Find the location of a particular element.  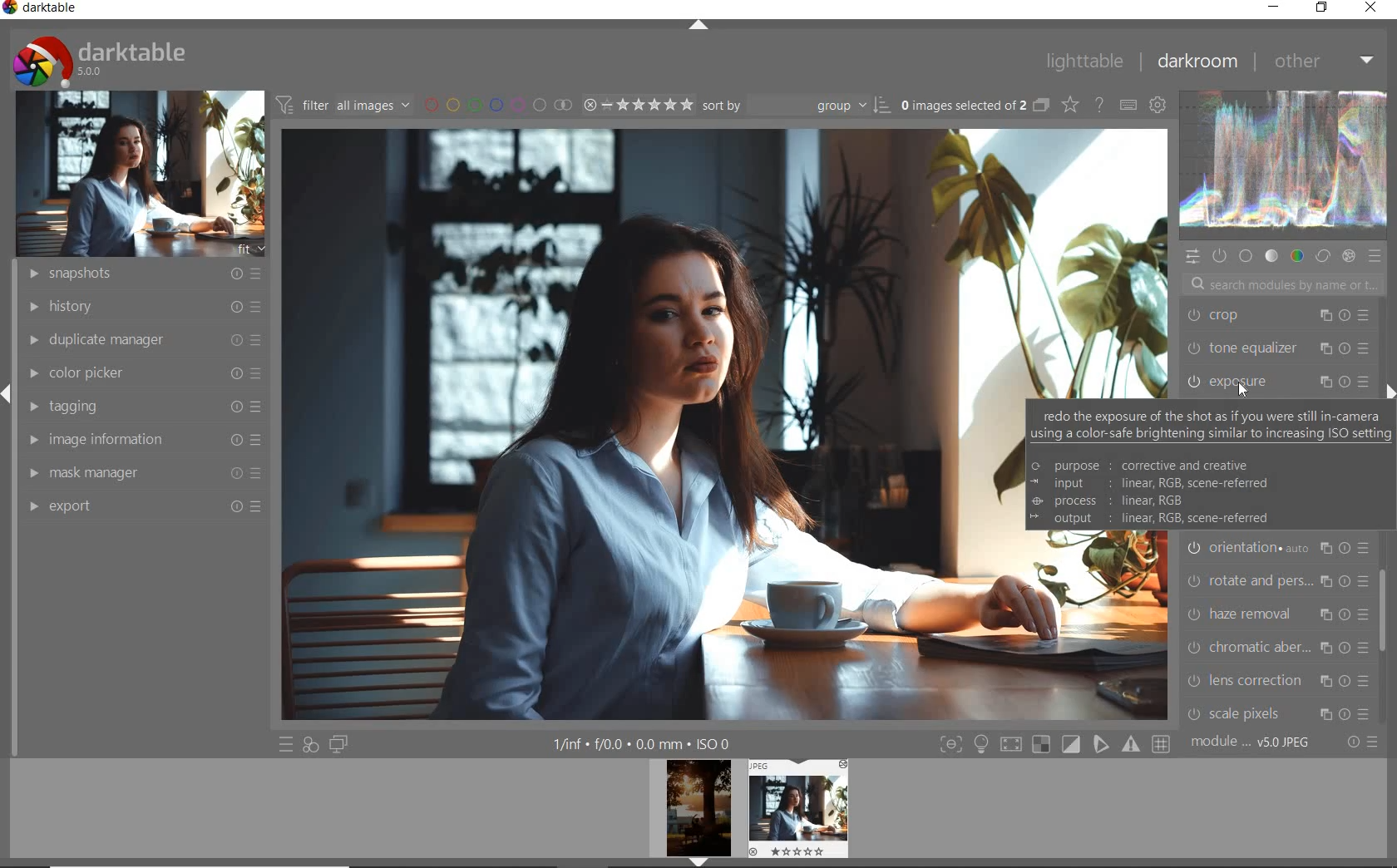

DISPLAY A SECOND DARKROOM IMAGE WINDOW is located at coordinates (339, 745).